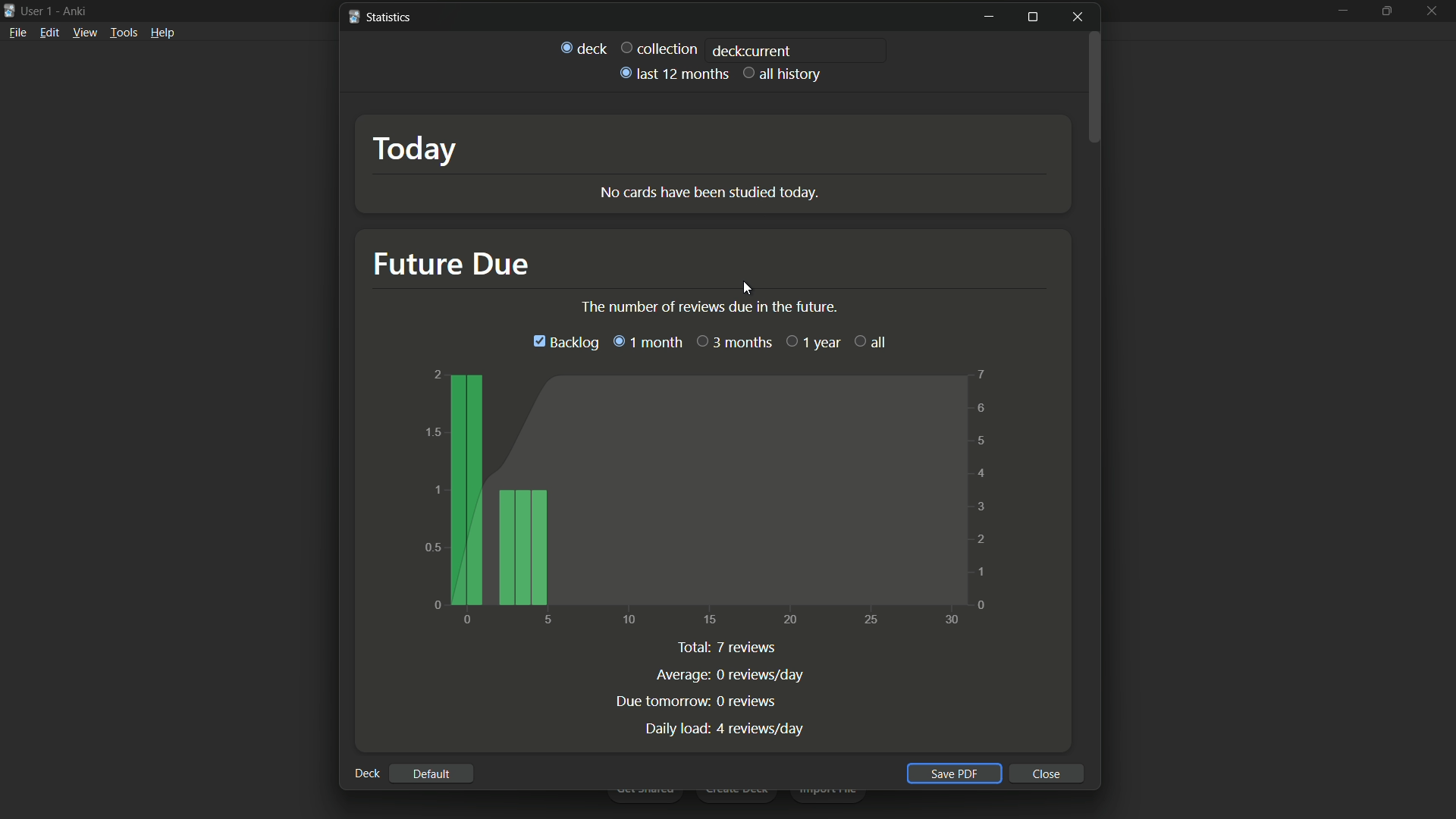  Describe the element at coordinates (950, 773) in the screenshot. I see `save pdf` at that location.